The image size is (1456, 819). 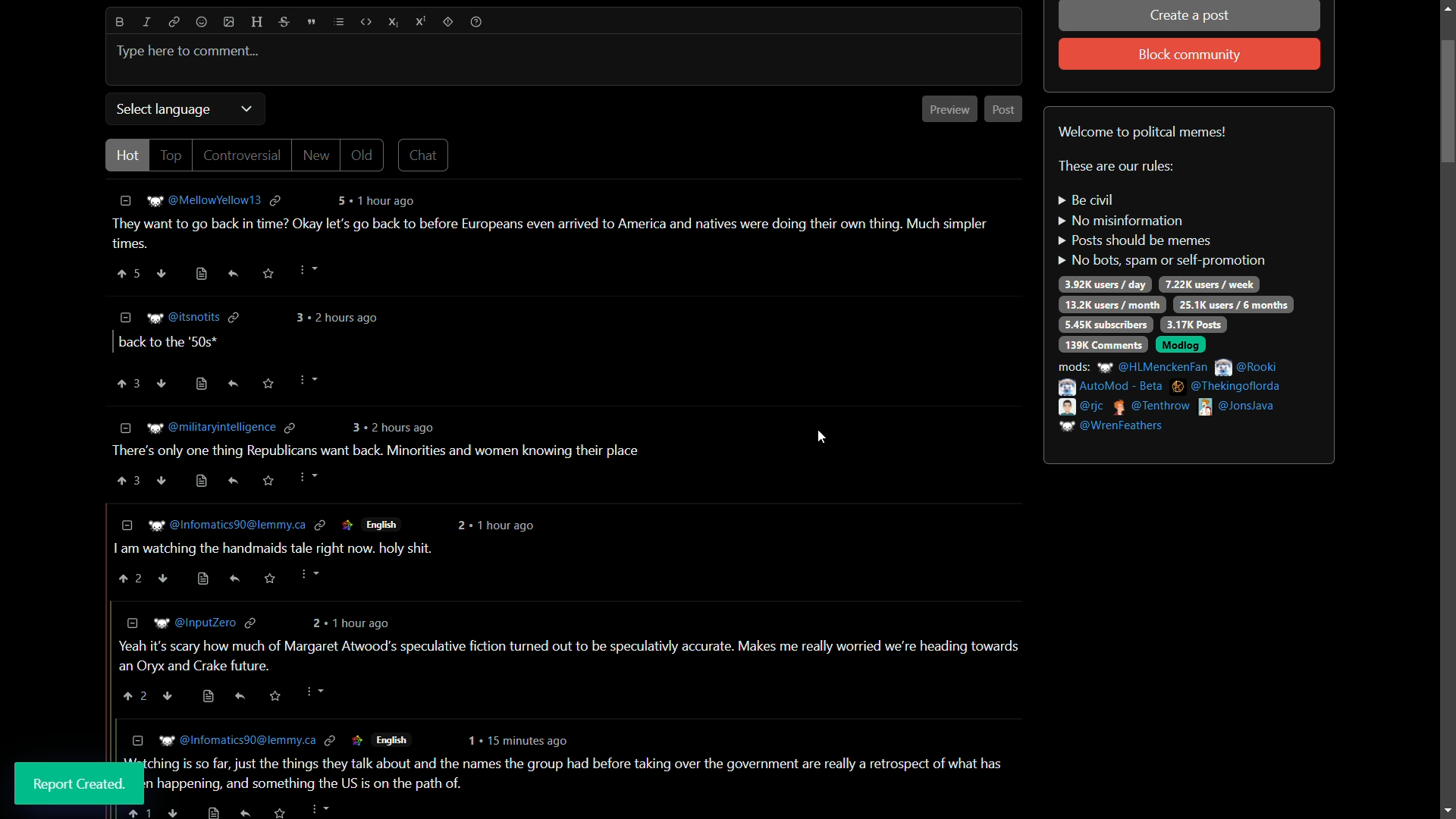 What do you see at coordinates (246, 109) in the screenshot?
I see `dropdown` at bounding box center [246, 109].